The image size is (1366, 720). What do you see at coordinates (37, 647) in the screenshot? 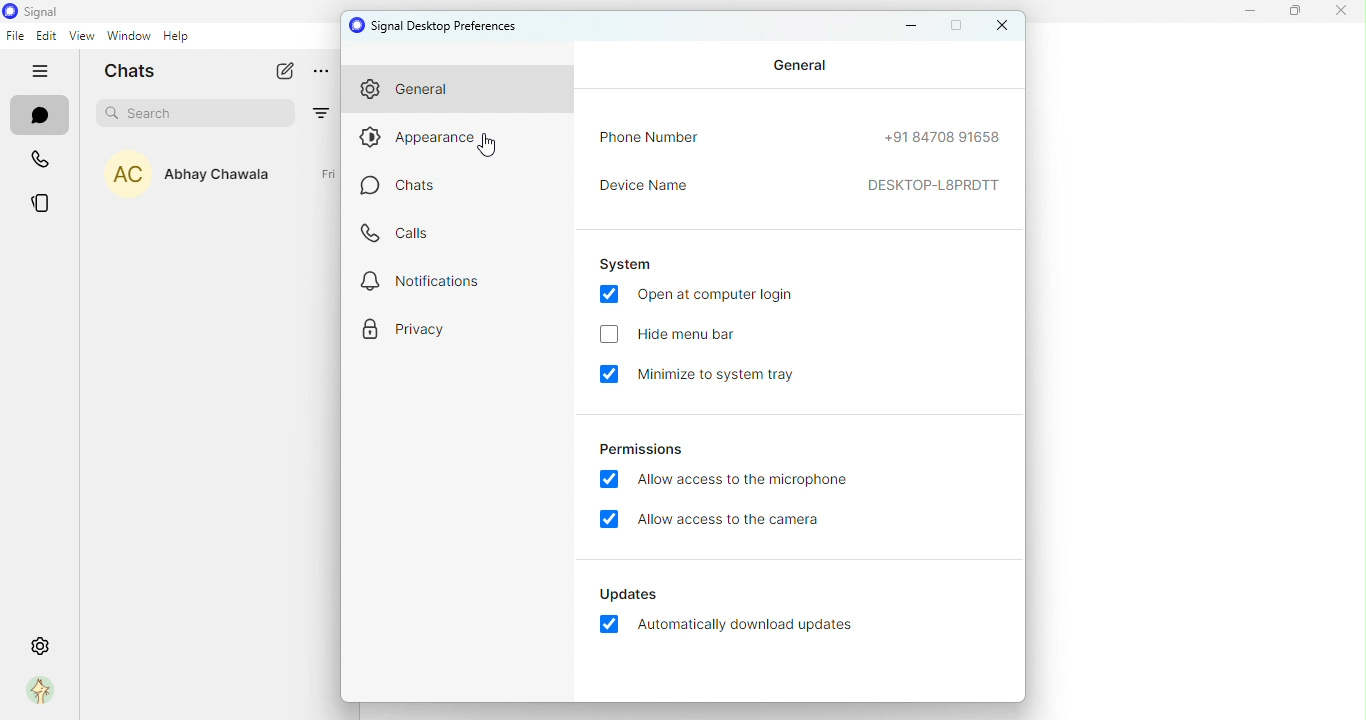
I see `settings` at bounding box center [37, 647].